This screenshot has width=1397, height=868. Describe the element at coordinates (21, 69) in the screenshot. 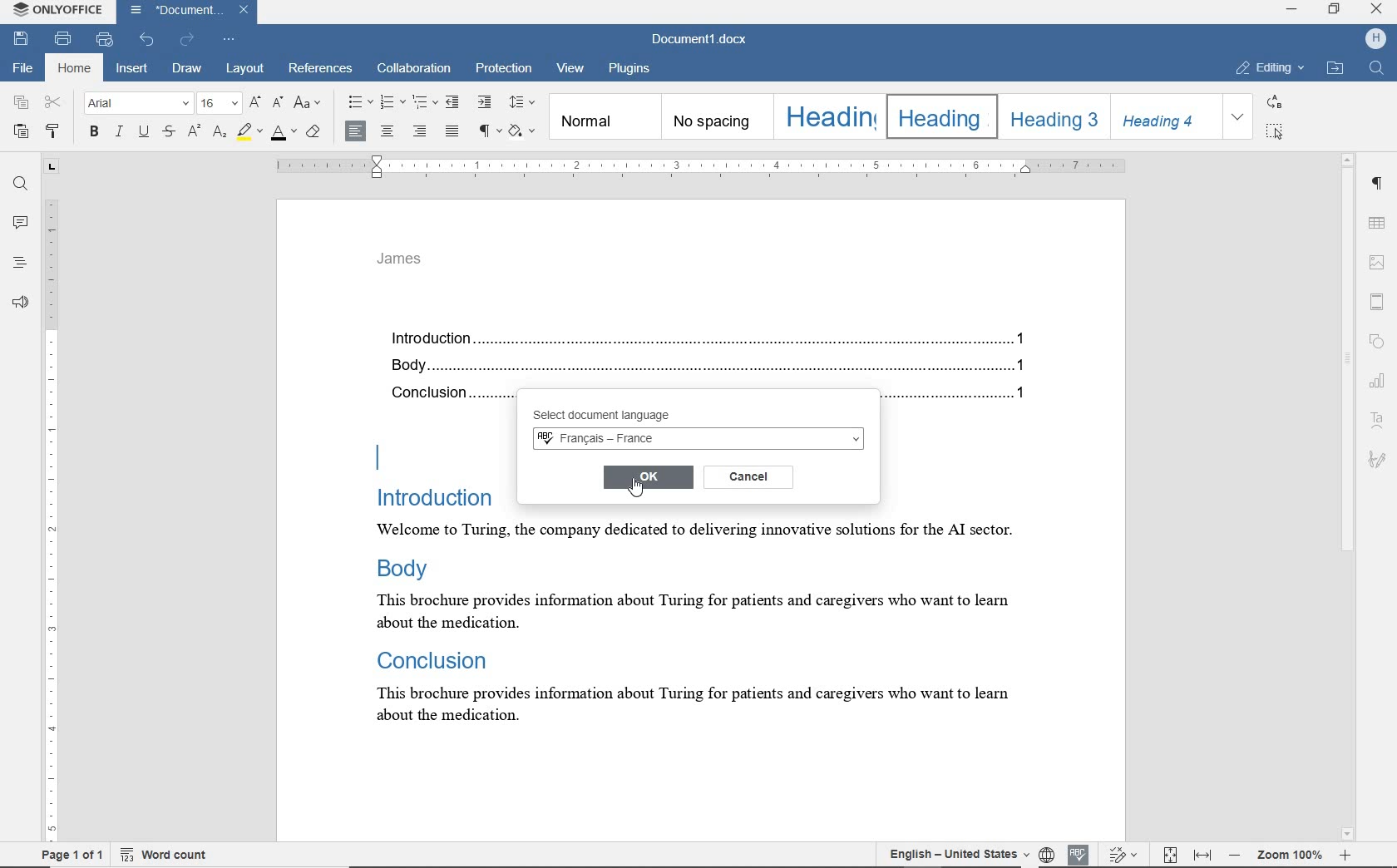

I see `file` at that location.